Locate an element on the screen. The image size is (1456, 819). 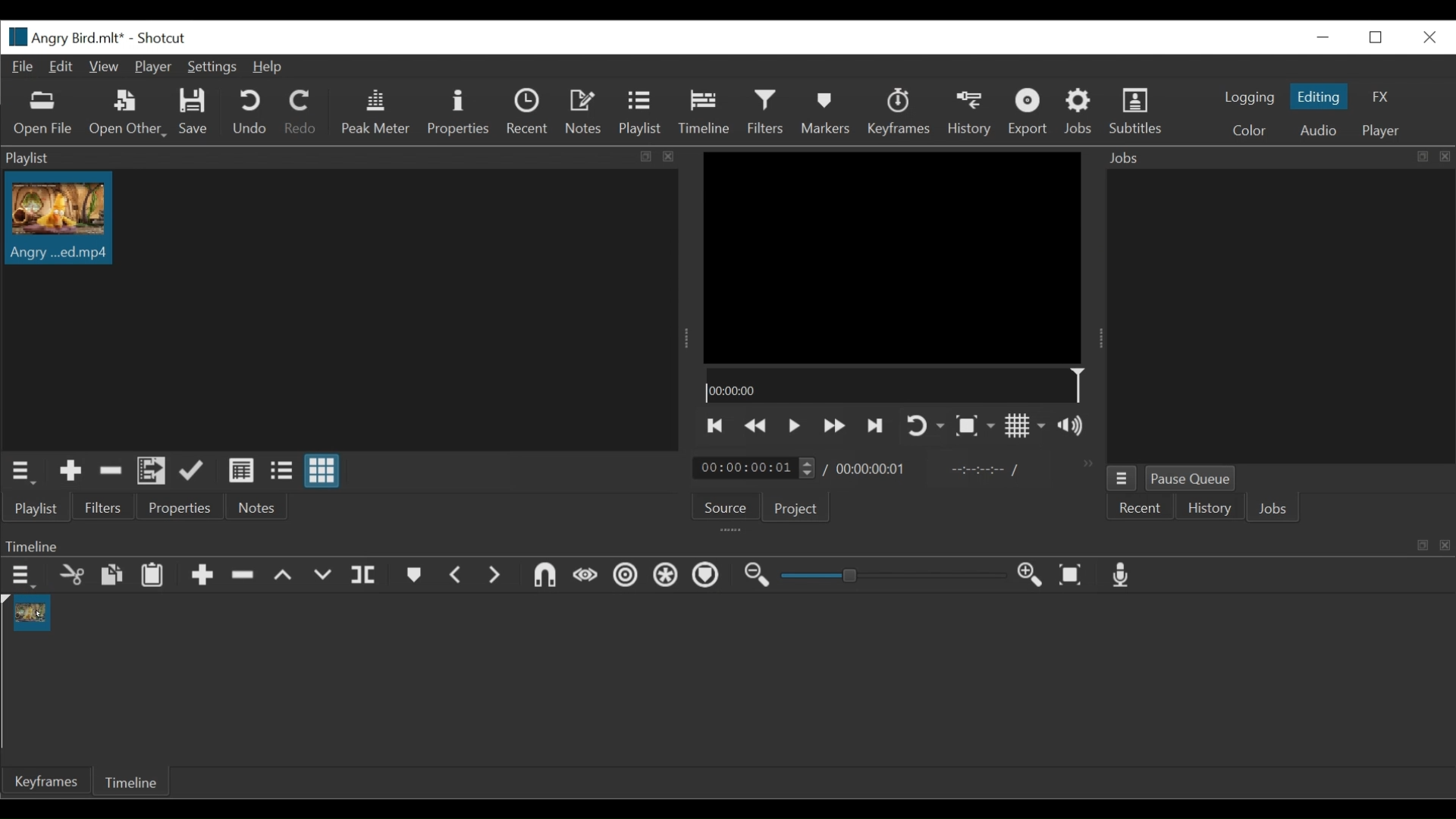
Undo is located at coordinates (252, 113).